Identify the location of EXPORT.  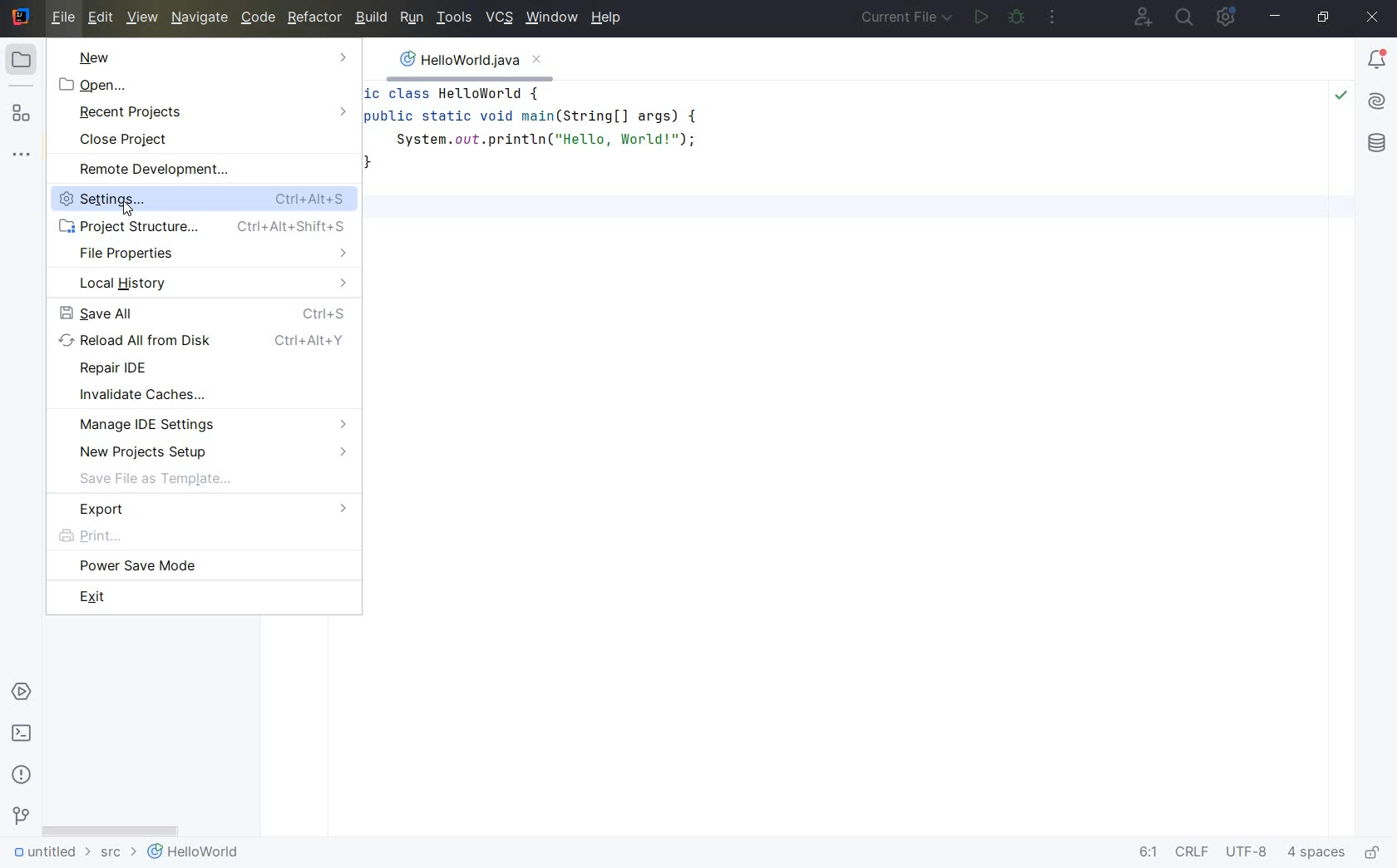
(204, 510).